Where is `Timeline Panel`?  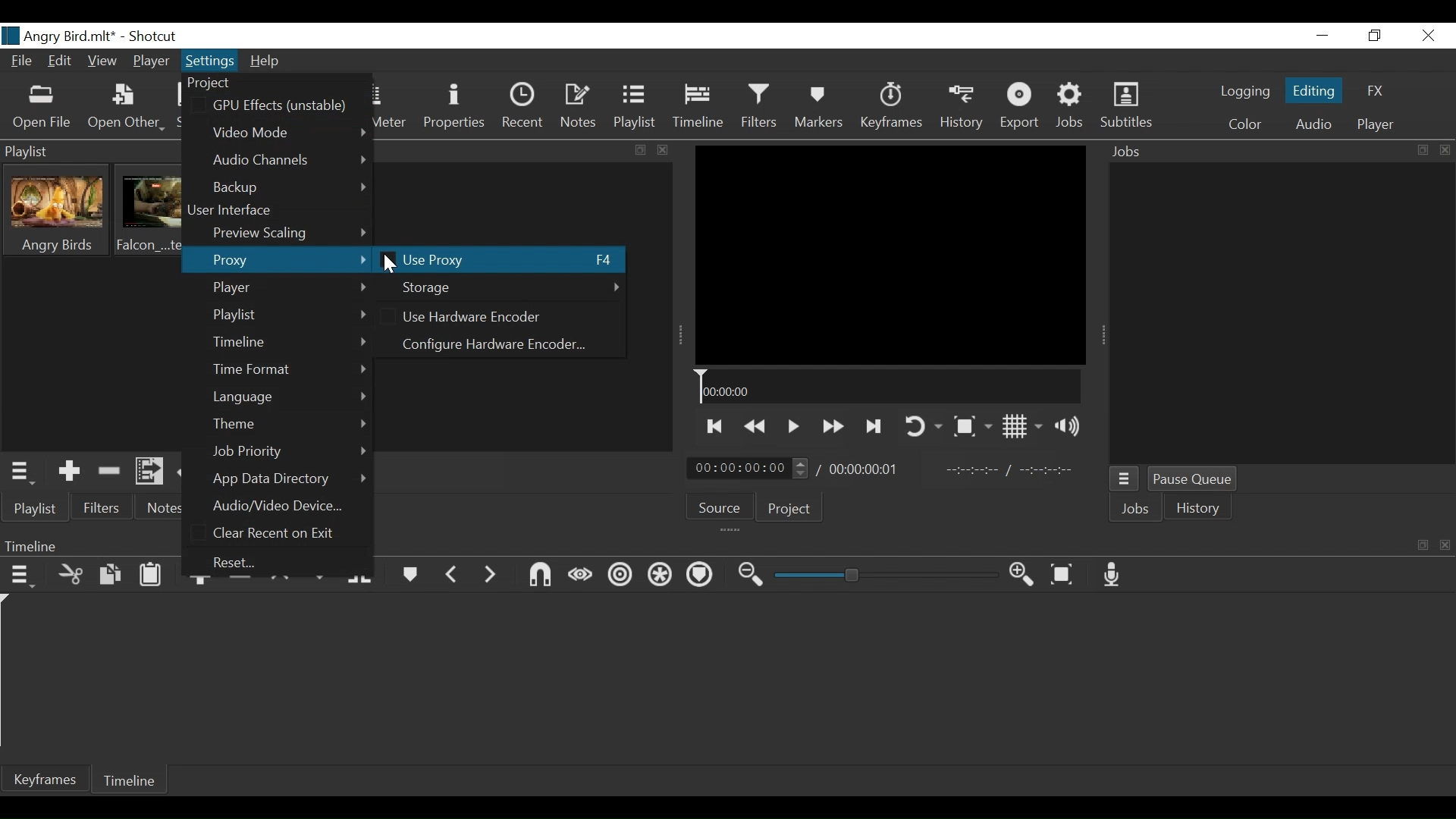
Timeline Panel is located at coordinates (32, 544).